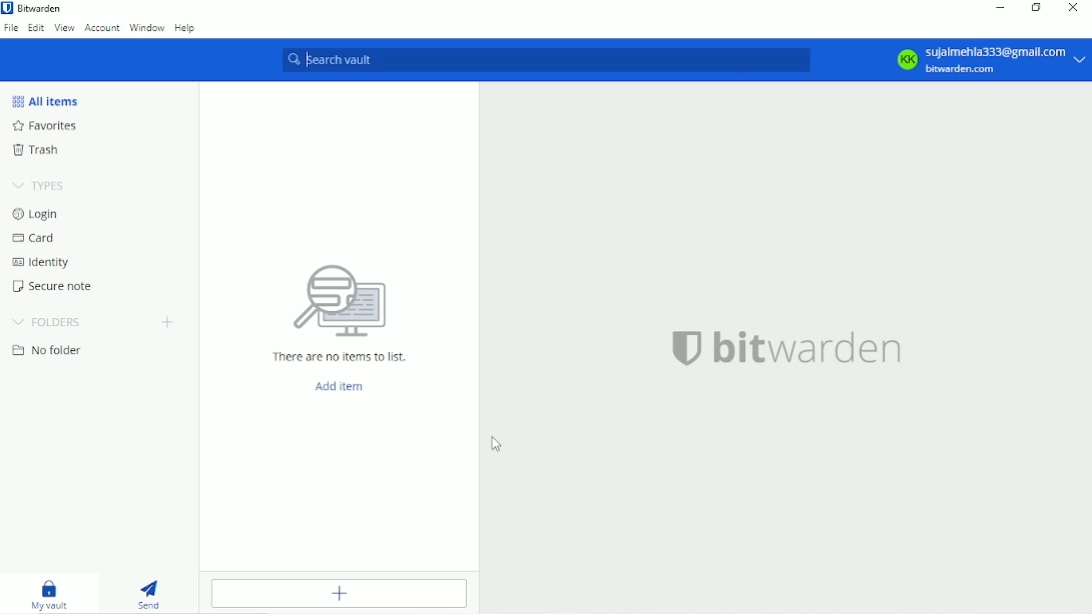 This screenshot has height=614, width=1092. What do you see at coordinates (151, 593) in the screenshot?
I see `Send` at bounding box center [151, 593].